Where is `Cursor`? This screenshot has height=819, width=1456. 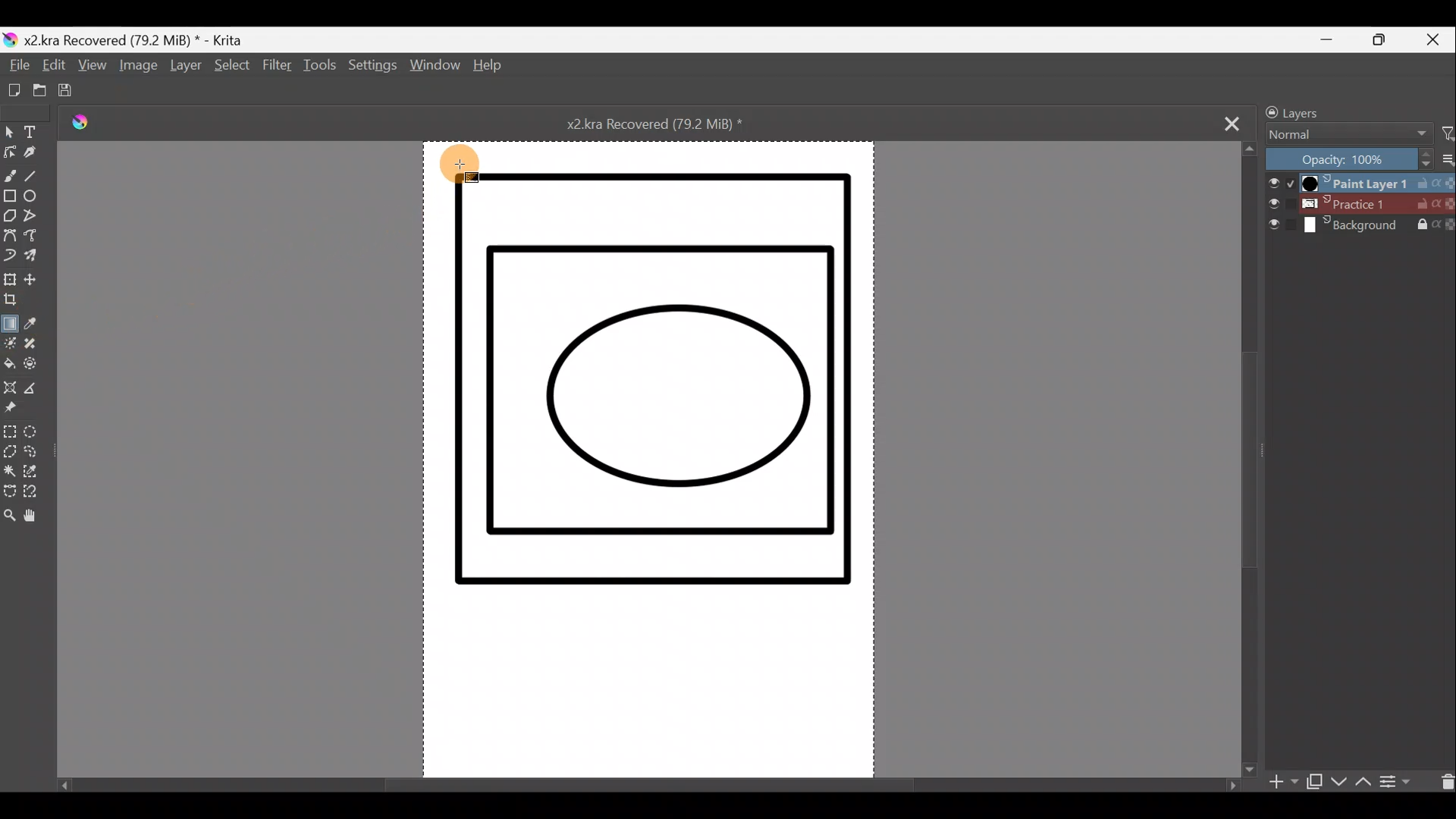
Cursor is located at coordinates (463, 164).